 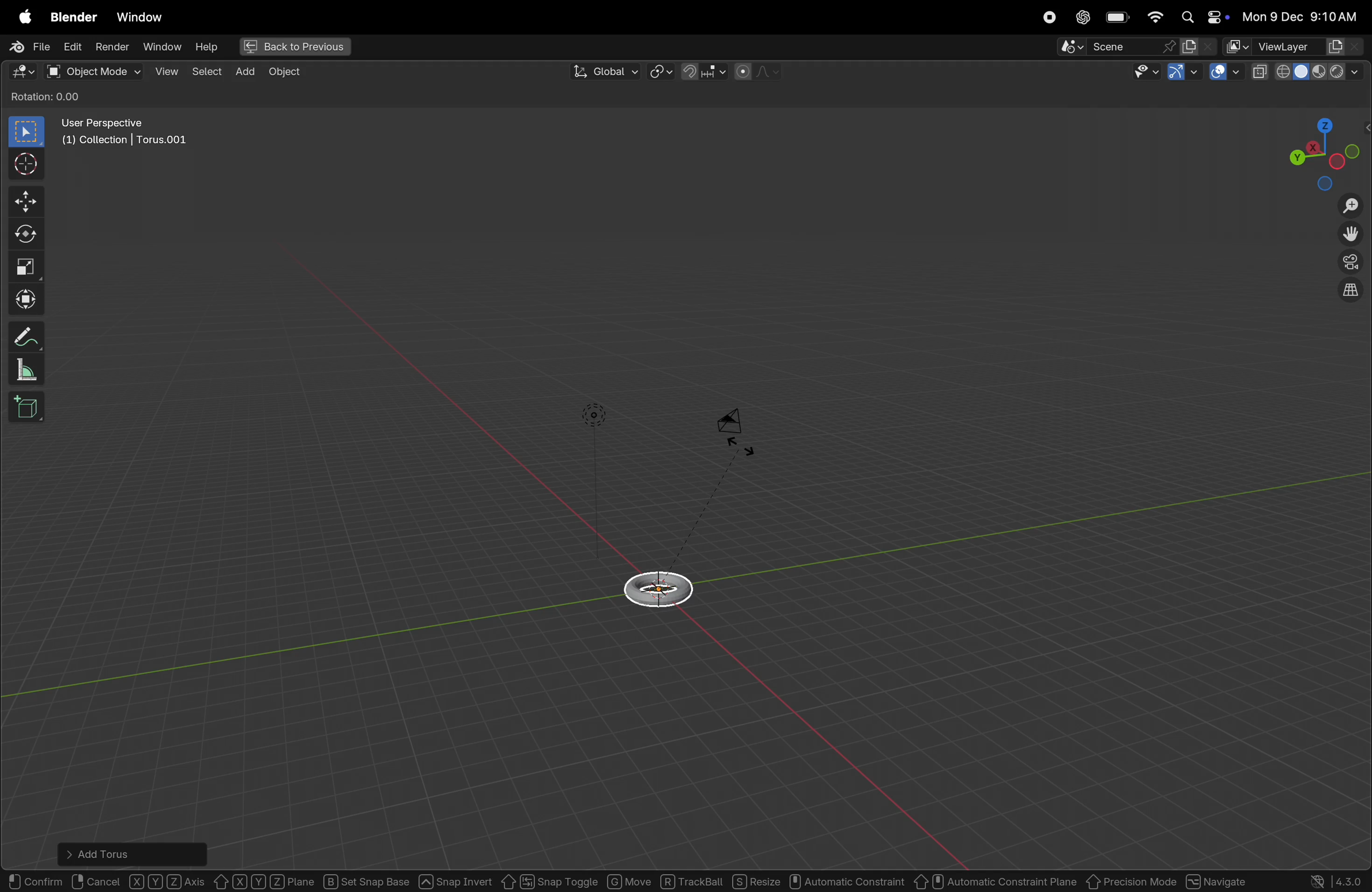 I want to click on global, so click(x=602, y=72).